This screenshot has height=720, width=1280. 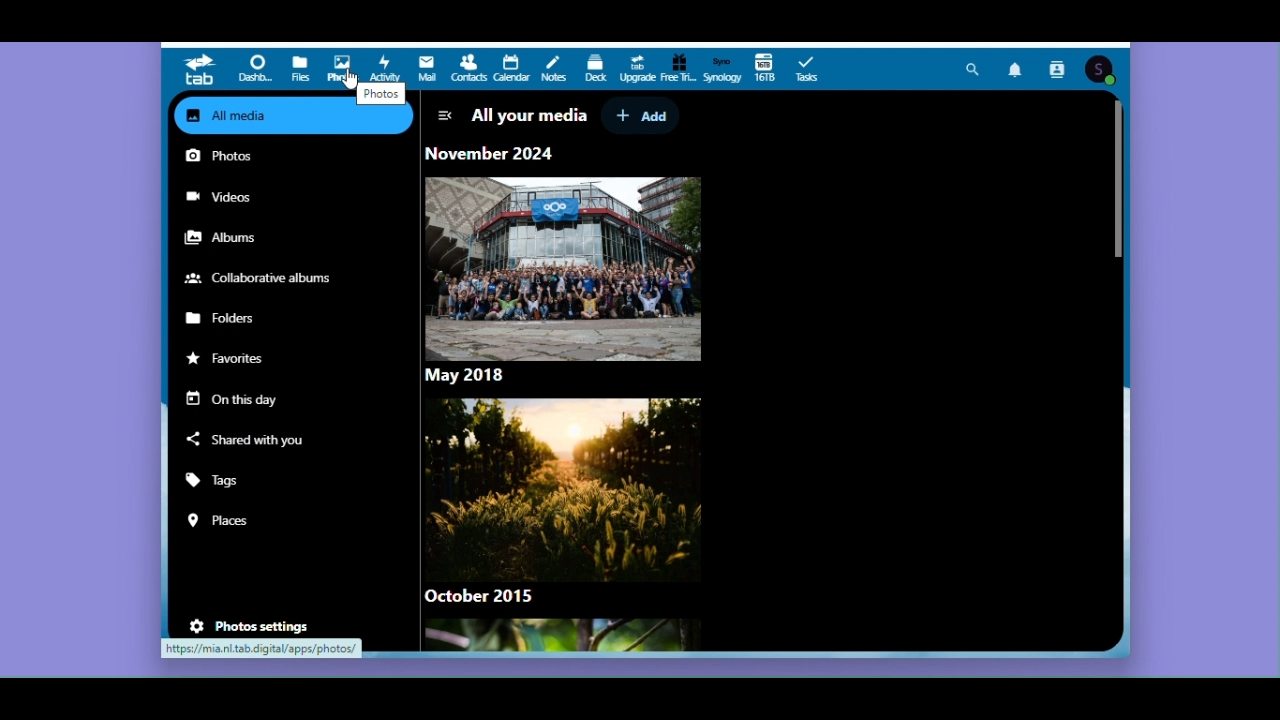 I want to click on Vertical scroll bar, so click(x=1120, y=190).